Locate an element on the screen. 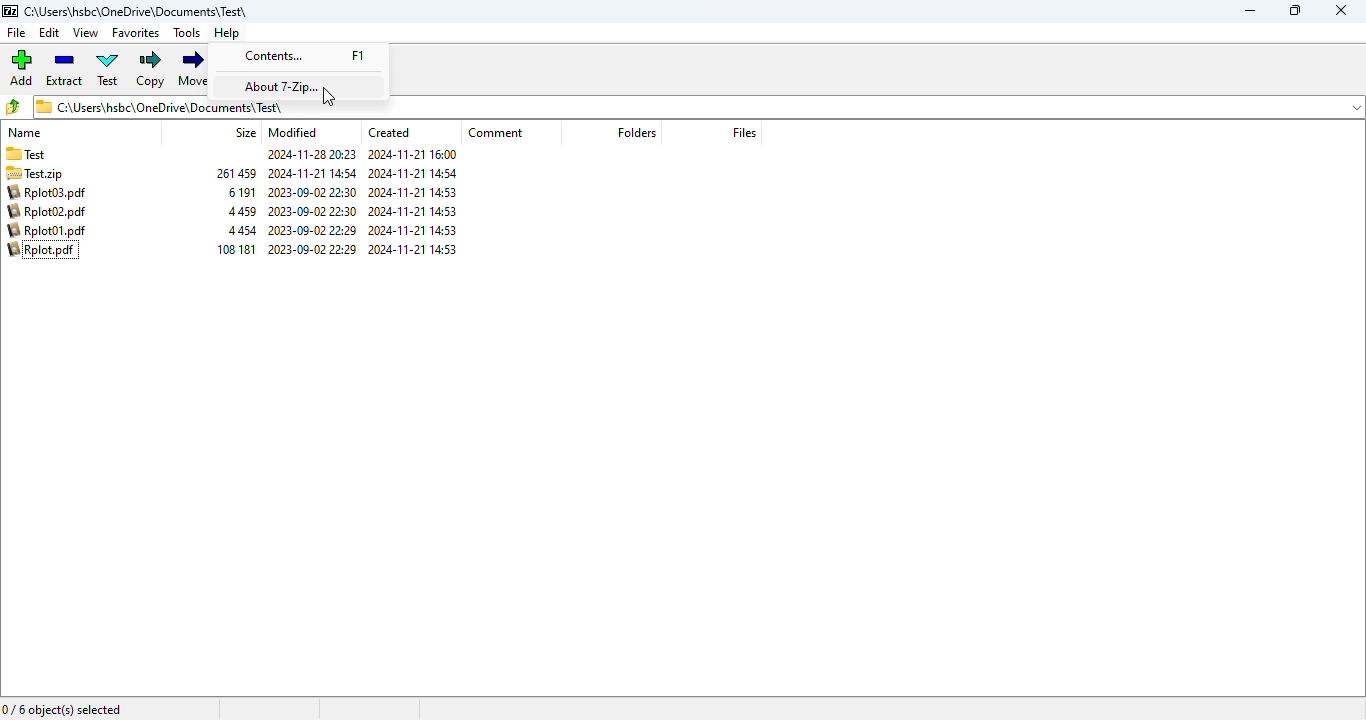 This screenshot has width=1366, height=720. view is located at coordinates (86, 33).